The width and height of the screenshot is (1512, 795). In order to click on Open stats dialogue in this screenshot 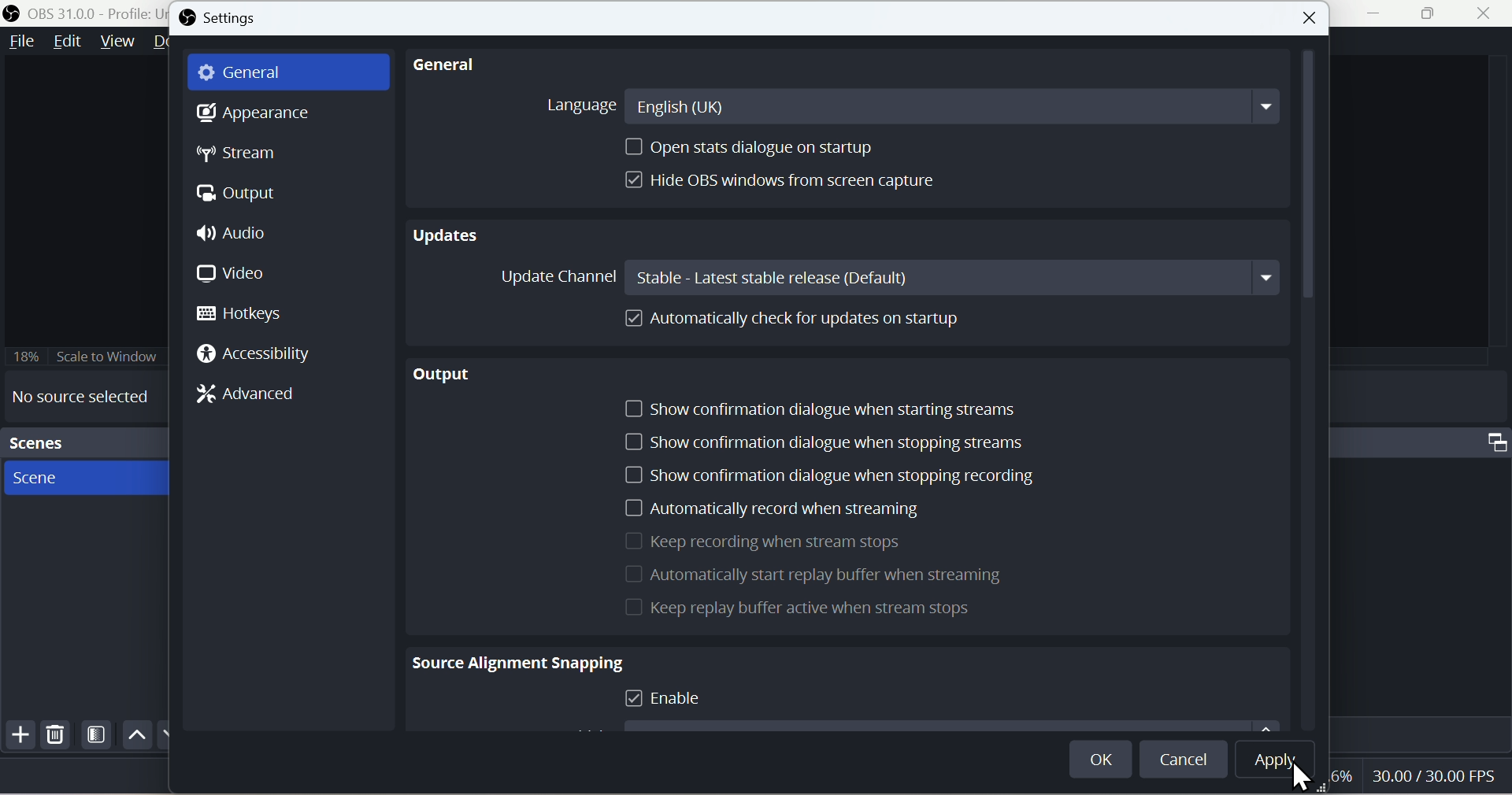, I will do `click(749, 149)`.